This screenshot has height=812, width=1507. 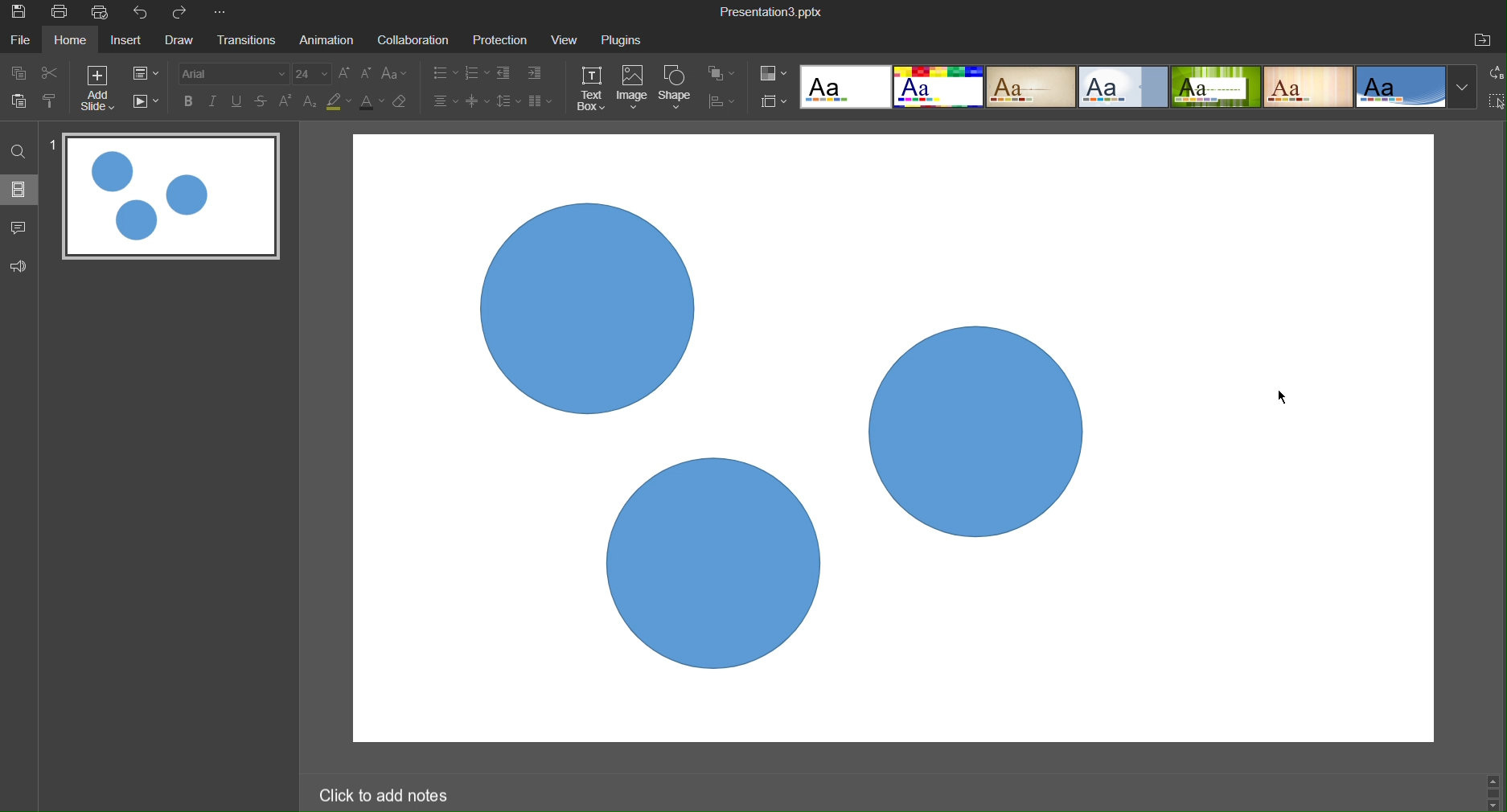 What do you see at coordinates (394, 75) in the screenshot?
I see `Character Case Settings` at bounding box center [394, 75].